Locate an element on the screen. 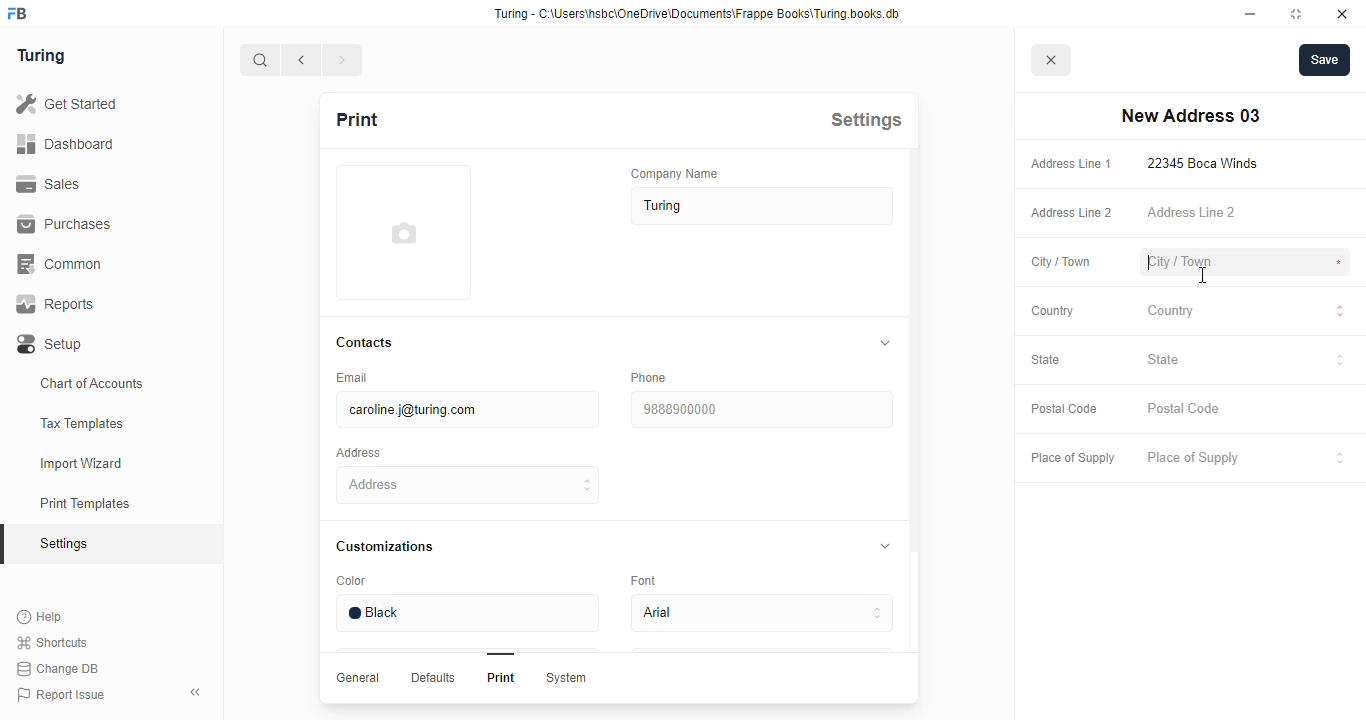  toggle expand/collapse is located at coordinates (881, 544).